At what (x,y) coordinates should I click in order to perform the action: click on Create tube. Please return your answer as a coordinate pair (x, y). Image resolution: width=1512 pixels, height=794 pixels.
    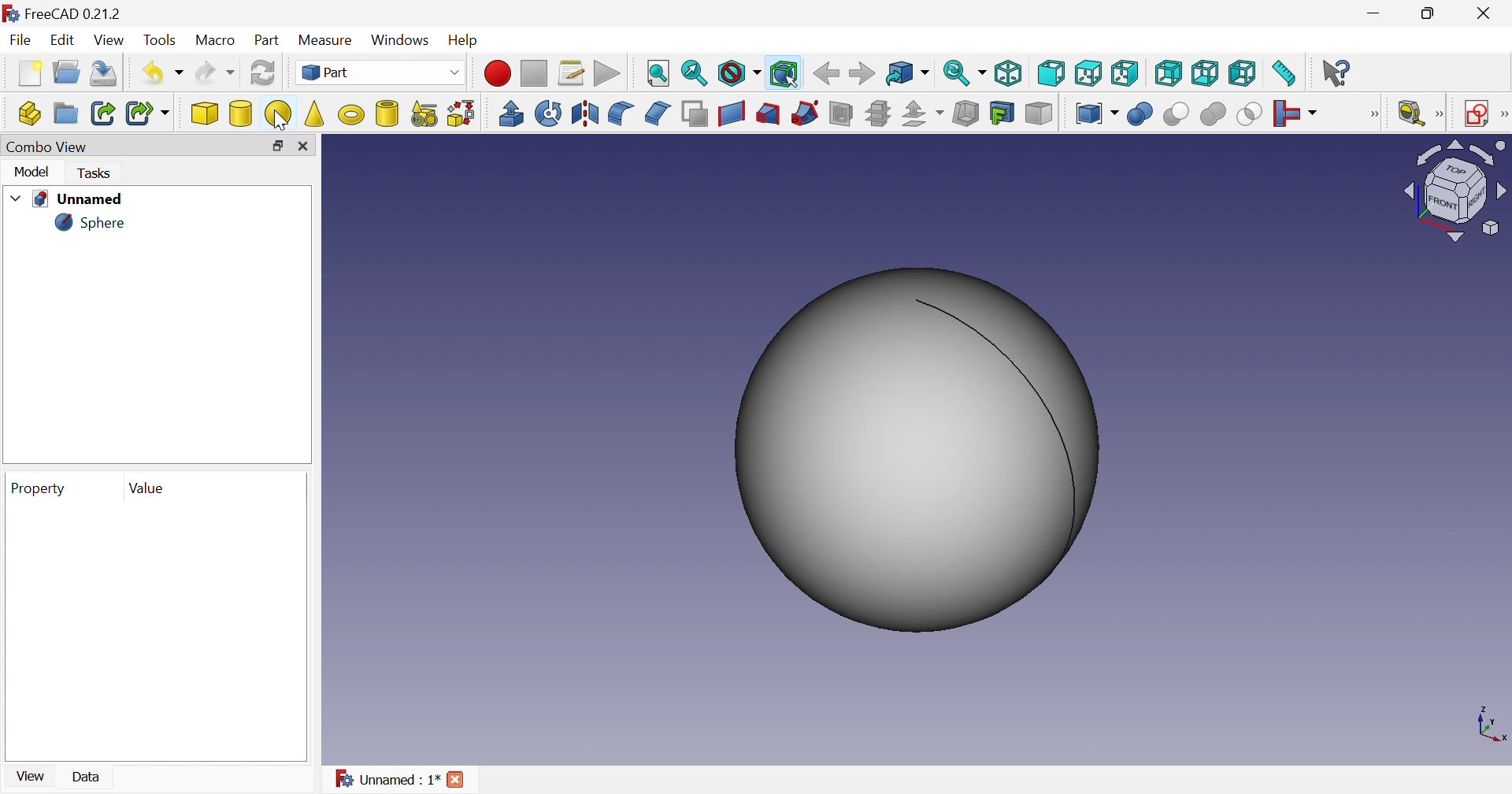
    Looking at the image, I should click on (387, 113).